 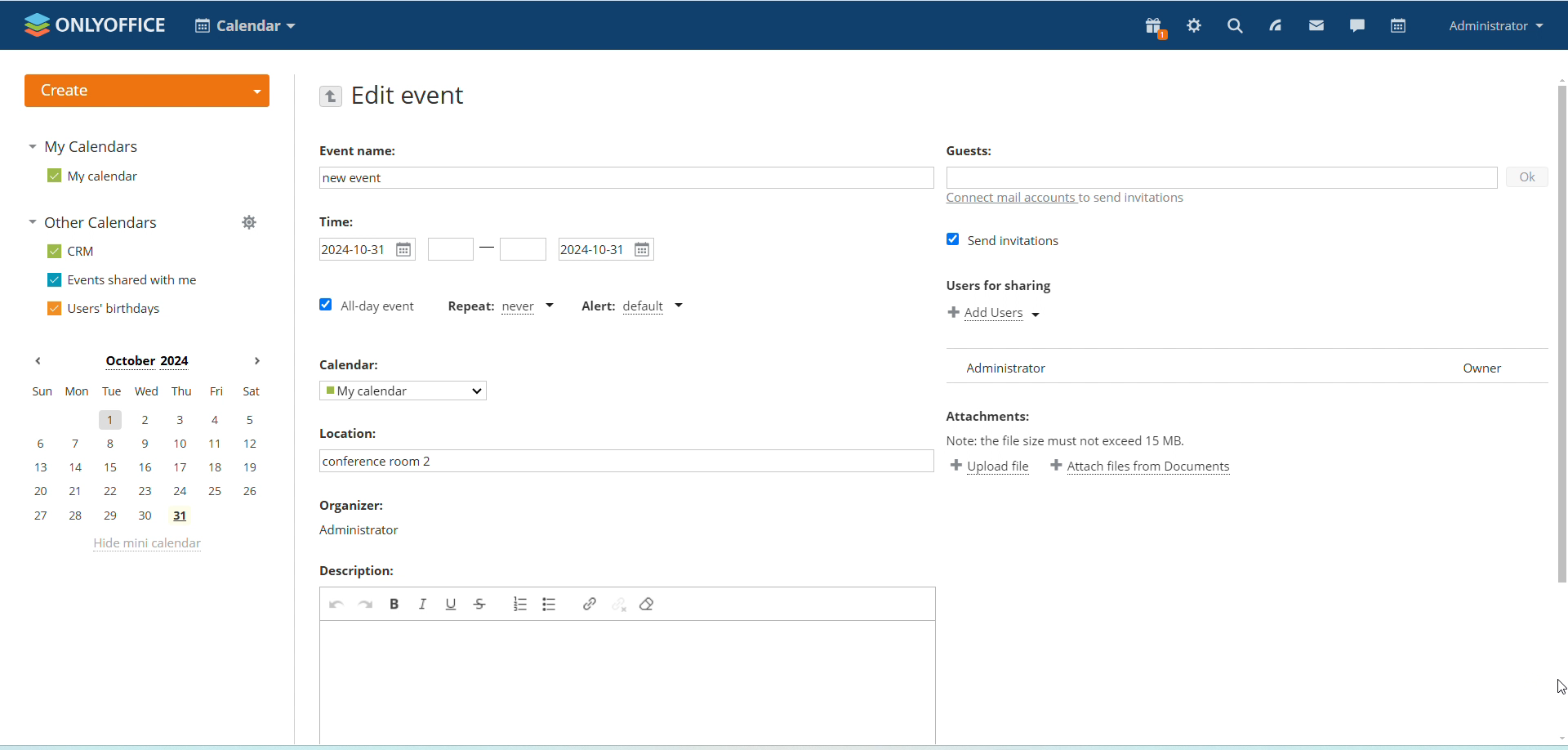 I want to click on event start time, so click(x=365, y=249).